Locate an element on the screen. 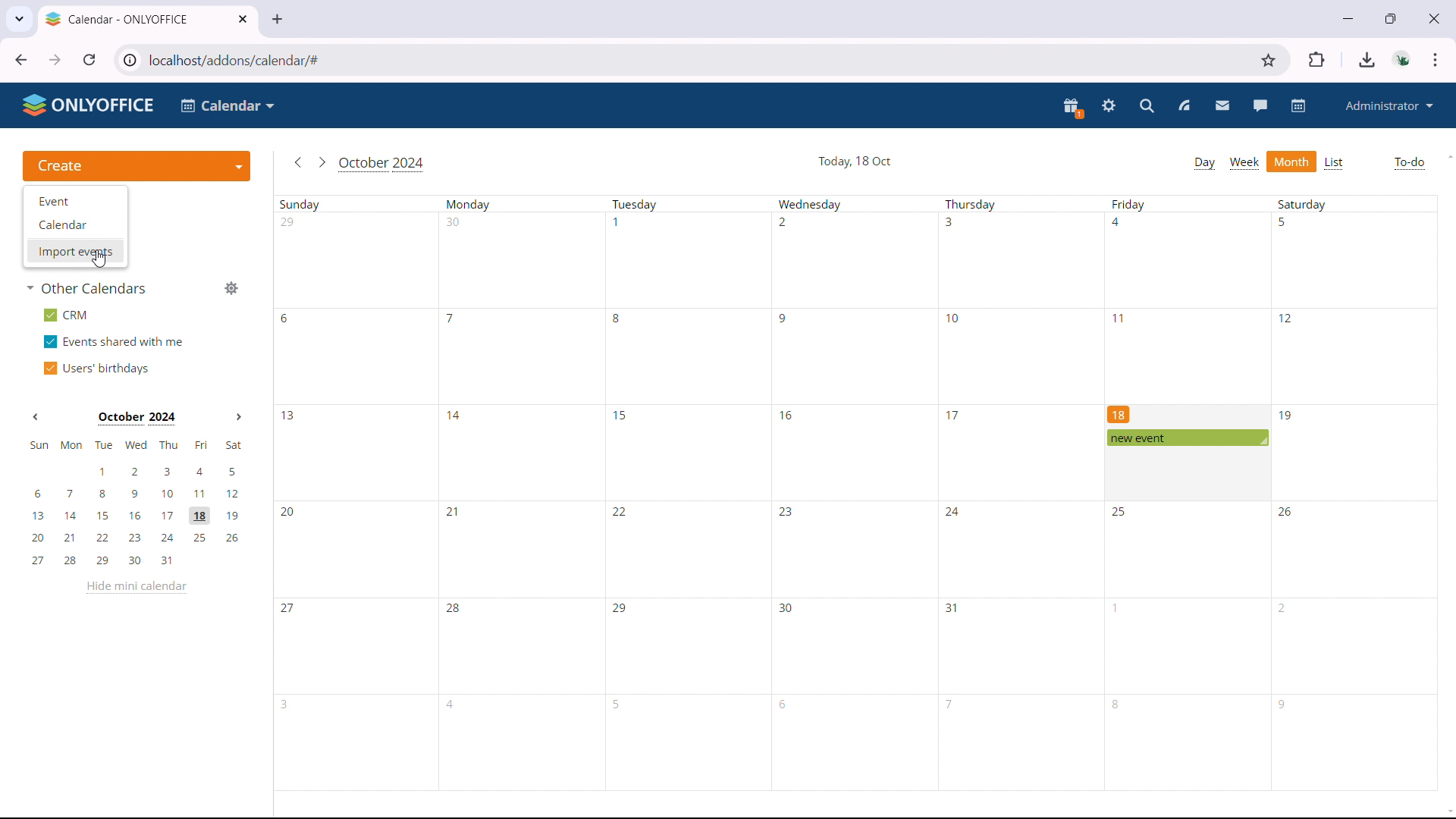 Image resolution: width=1456 pixels, height=819 pixels. settings is located at coordinates (1109, 107).